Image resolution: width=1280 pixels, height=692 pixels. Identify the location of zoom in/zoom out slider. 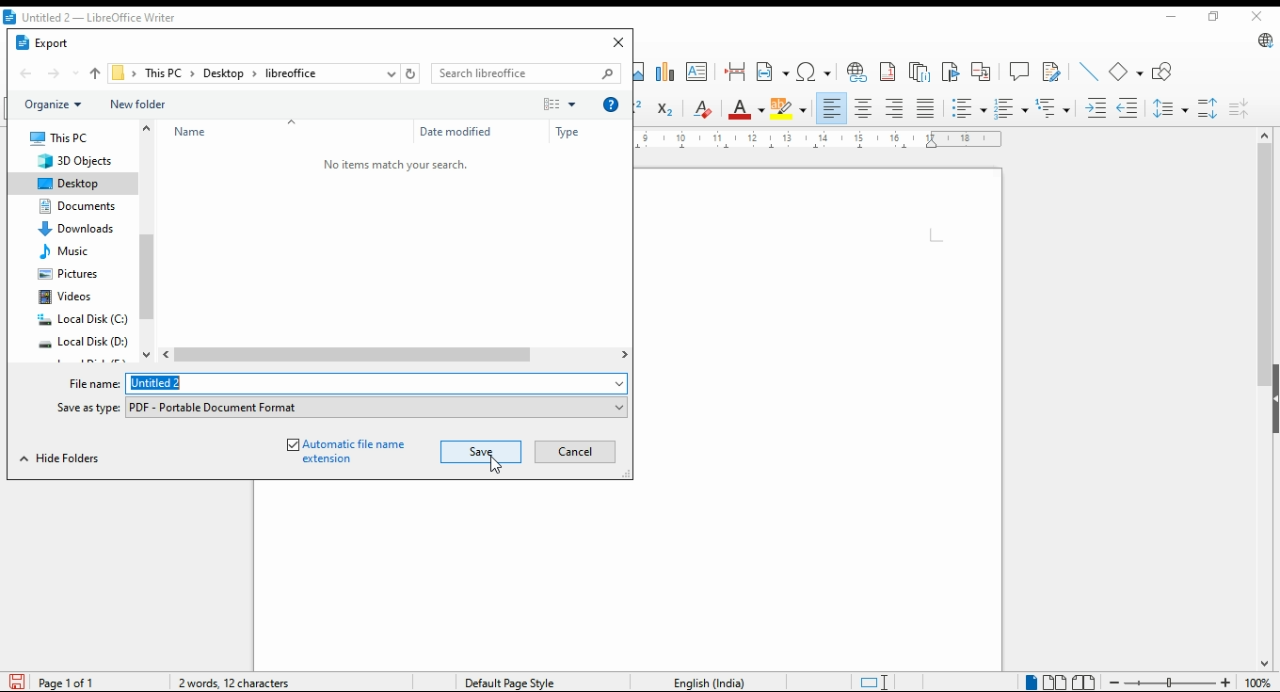
(1168, 683).